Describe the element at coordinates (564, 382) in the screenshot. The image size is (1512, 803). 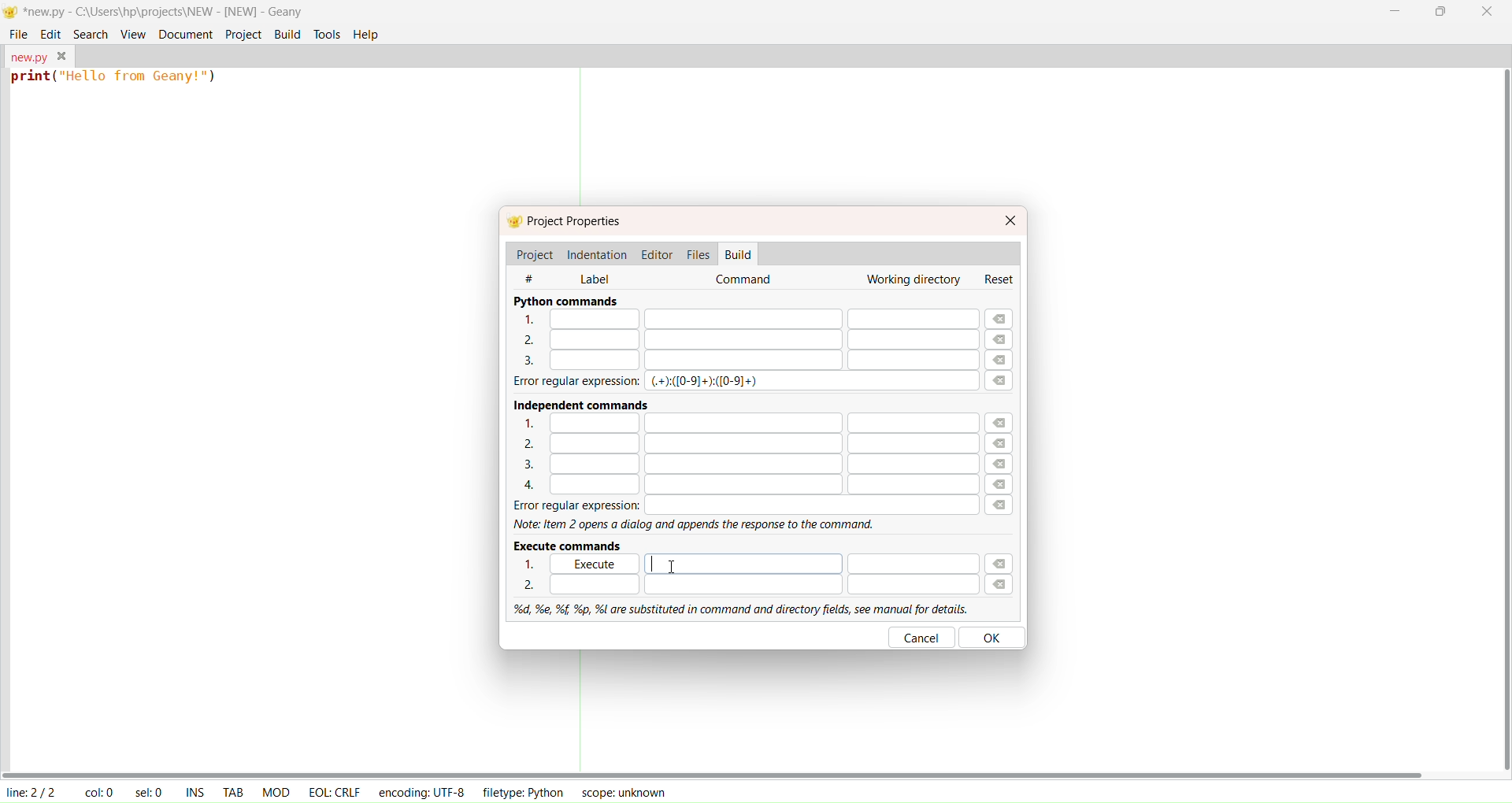
I see `Error regular expression` at that location.